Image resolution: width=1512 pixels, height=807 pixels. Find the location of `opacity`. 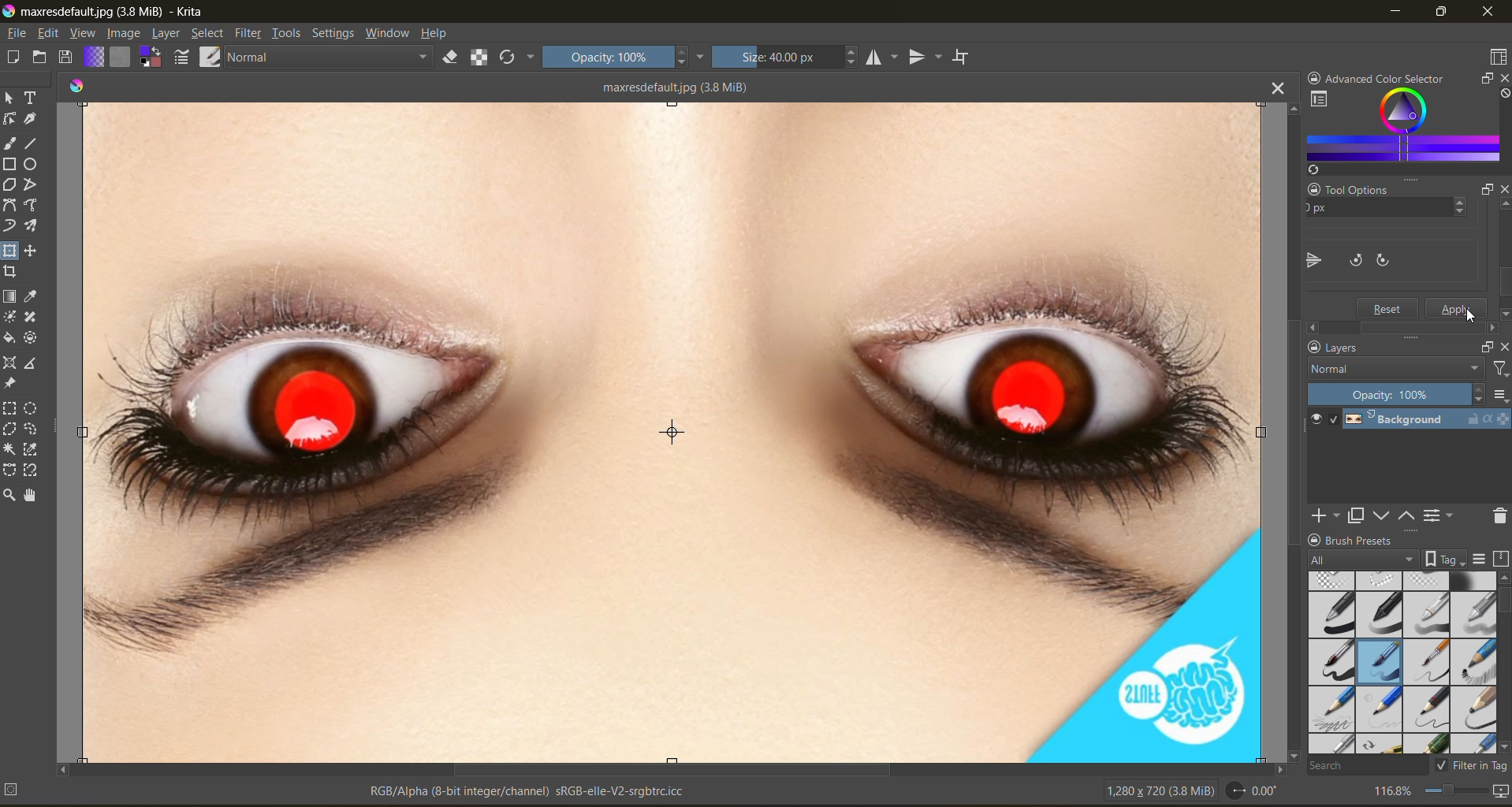

opacity is located at coordinates (1397, 393).